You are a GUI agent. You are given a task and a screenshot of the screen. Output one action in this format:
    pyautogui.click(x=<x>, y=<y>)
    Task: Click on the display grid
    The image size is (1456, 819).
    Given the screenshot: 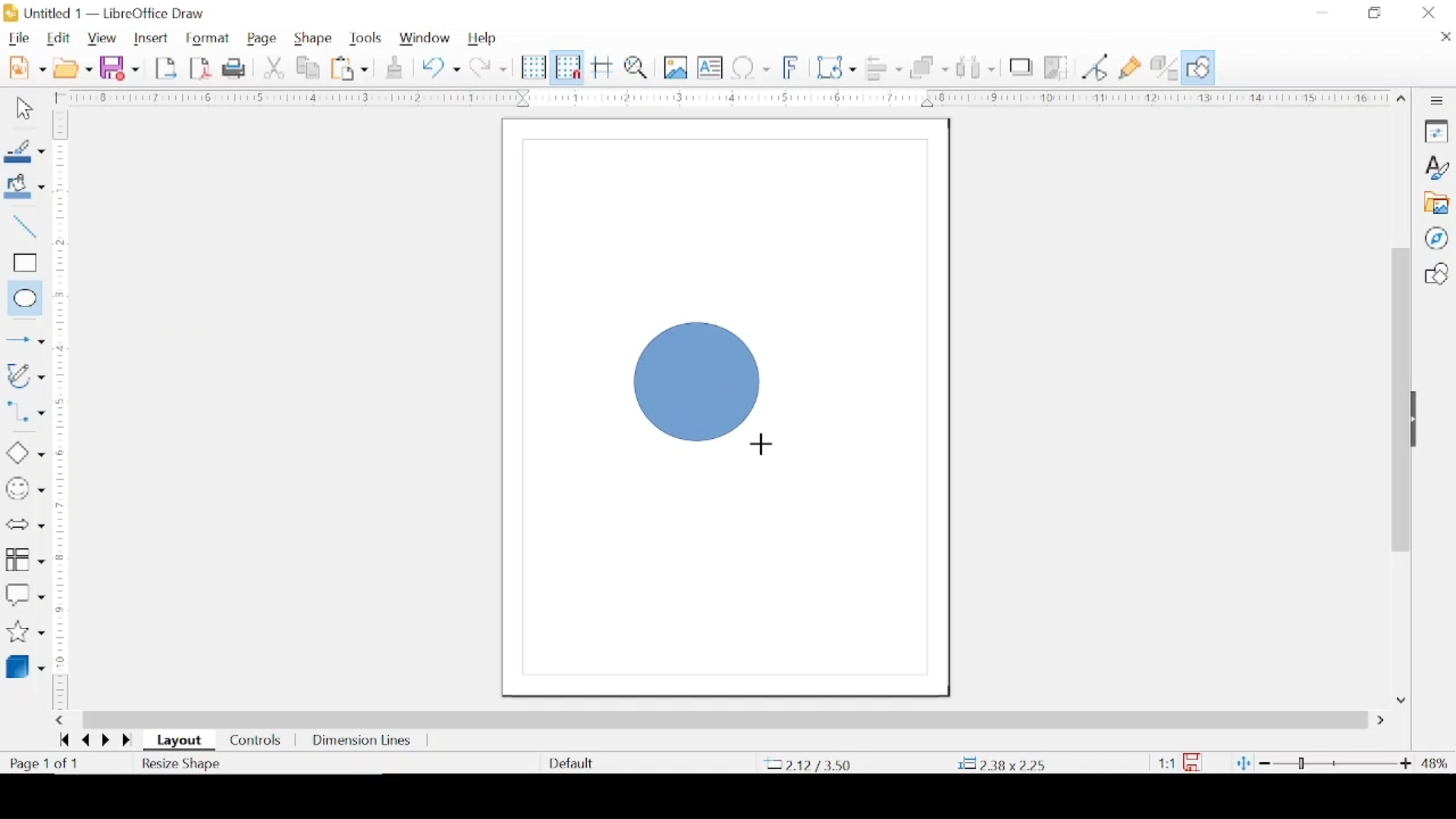 What is the action you would take?
    pyautogui.click(x=533, y=67)
    